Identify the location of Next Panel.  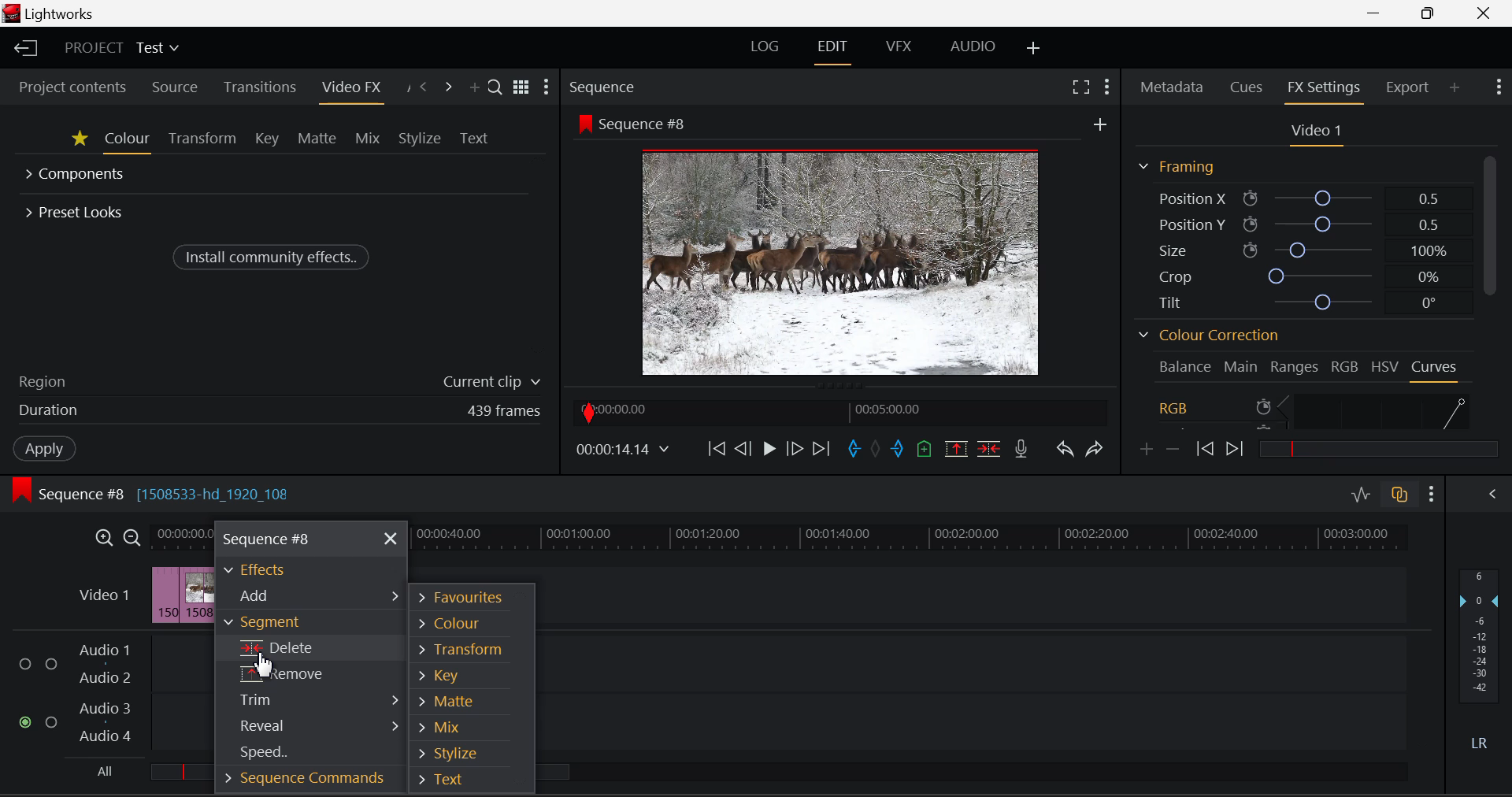
(448, 85).